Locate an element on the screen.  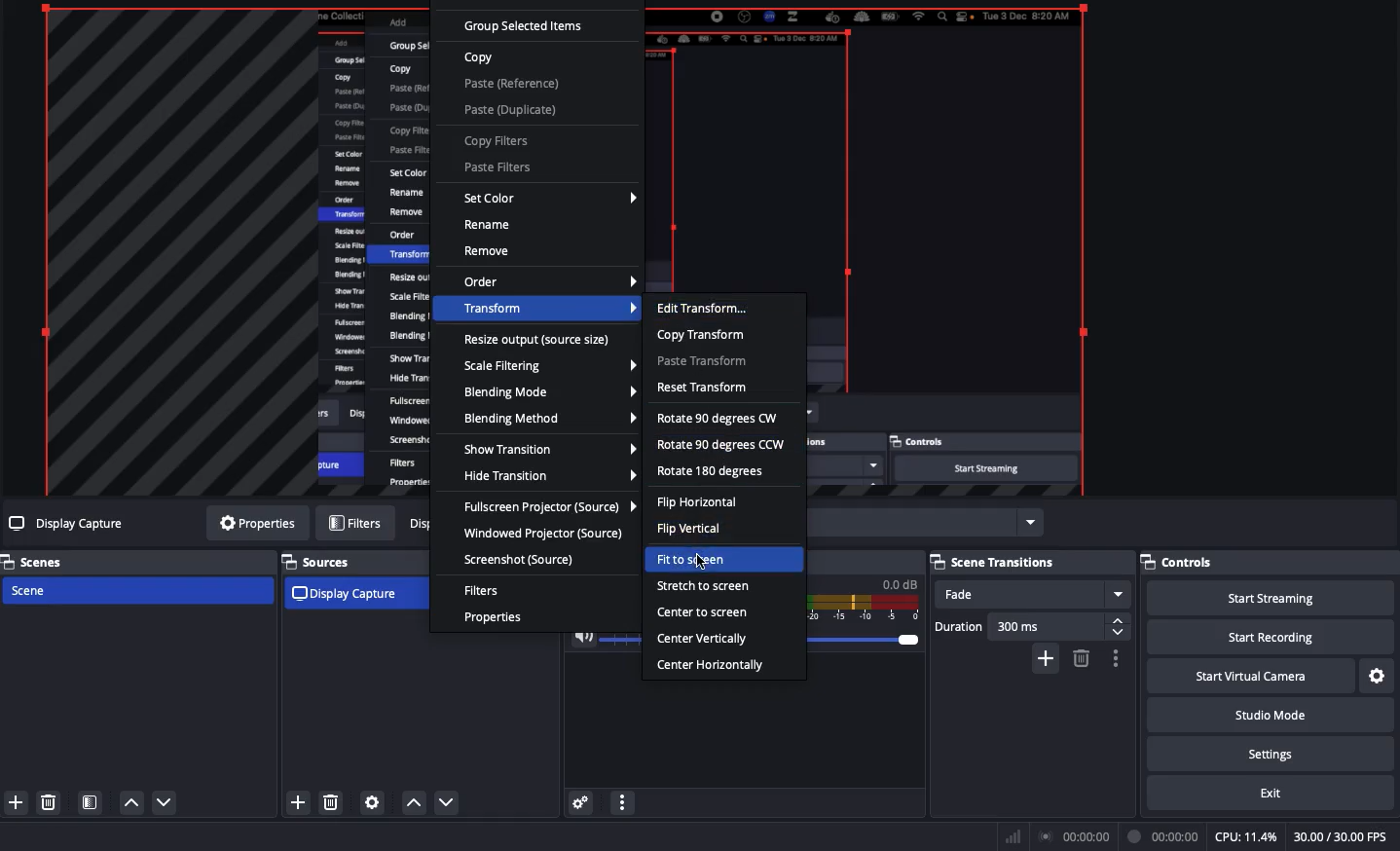
add is located at coordinates (1043, 661).